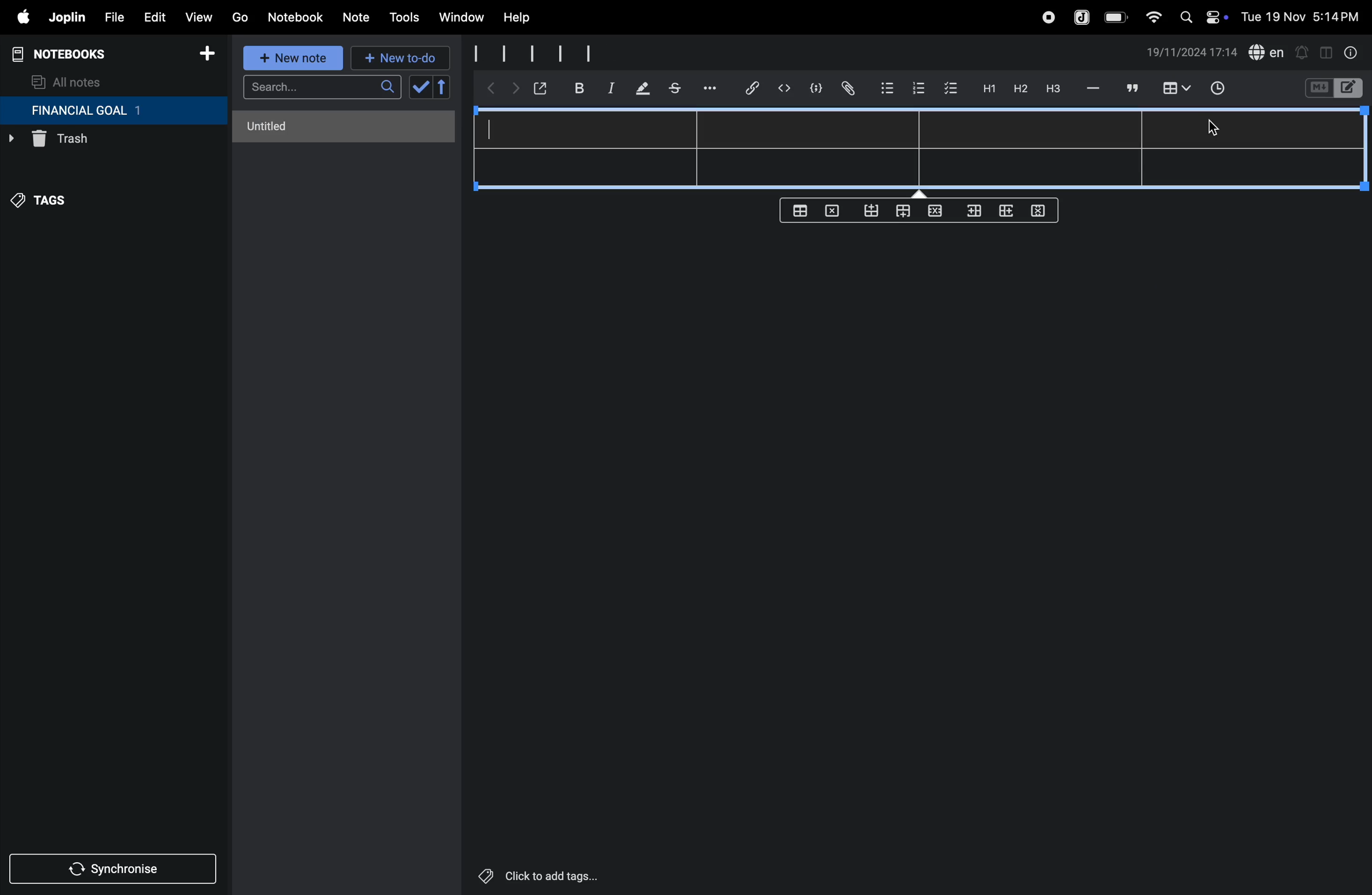 This screenshot has width=1372, height=895. Describe the element at coordinates (295, 59) in the screenshot. I see `new note` at that location.